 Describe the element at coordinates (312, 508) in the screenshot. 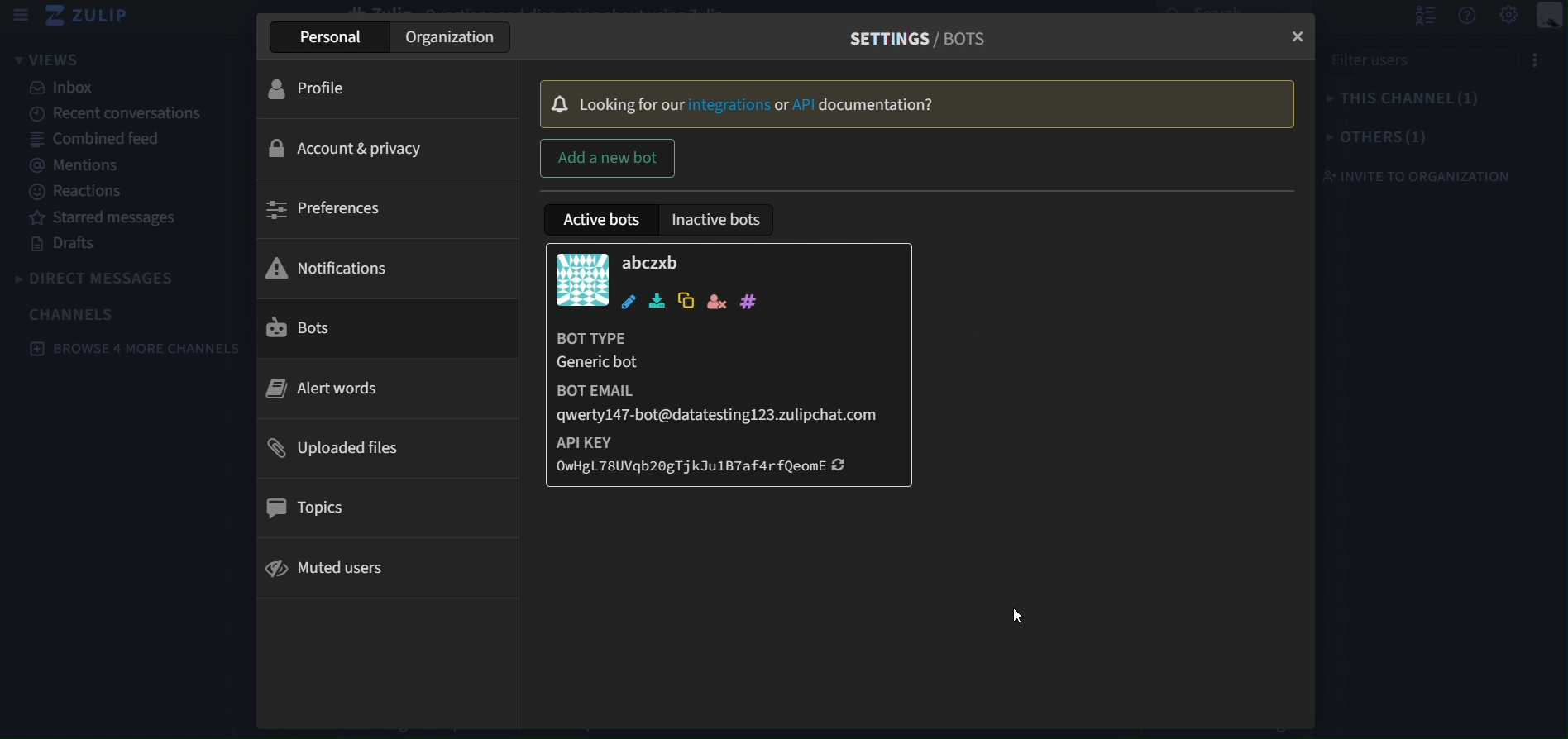

I see `topics` at that location.